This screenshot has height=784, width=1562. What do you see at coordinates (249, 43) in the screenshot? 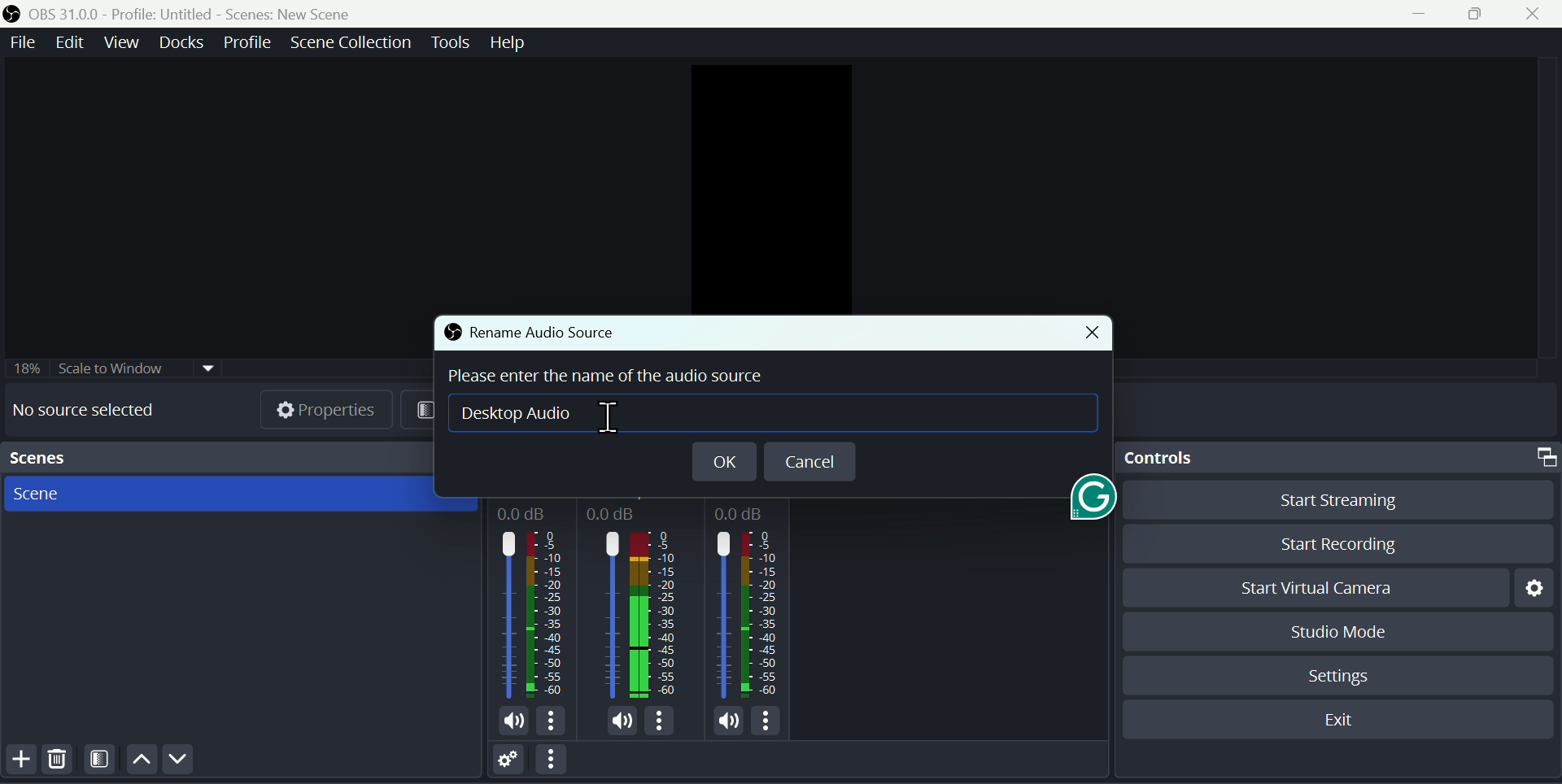
I see `Profile` at bounding box center [249, 43].